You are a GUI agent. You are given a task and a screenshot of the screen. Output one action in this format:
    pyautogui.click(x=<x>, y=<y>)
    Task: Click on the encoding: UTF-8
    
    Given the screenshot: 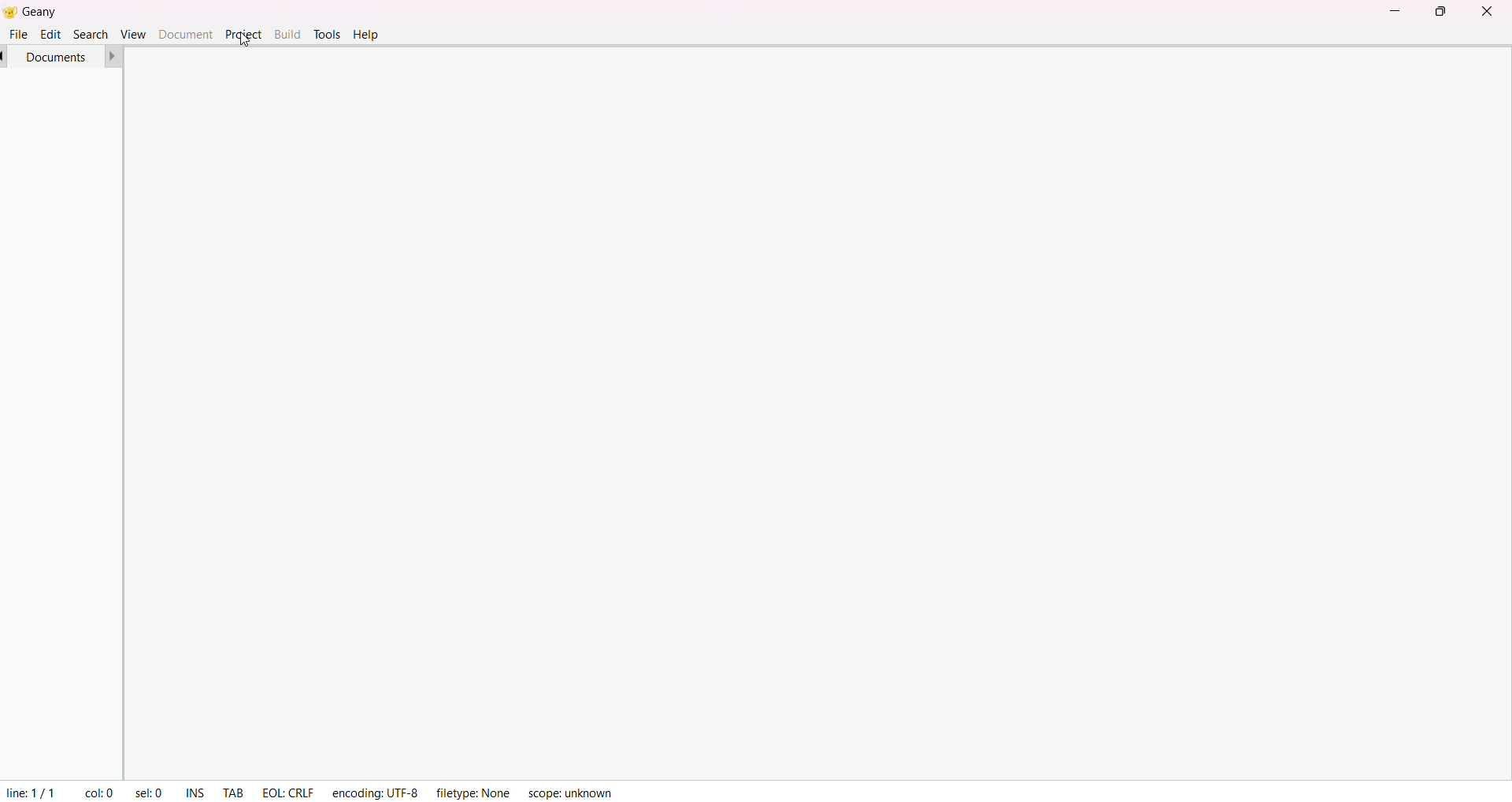 What is the action you would take?
    pyautogui.click(x=376, y=790)
    